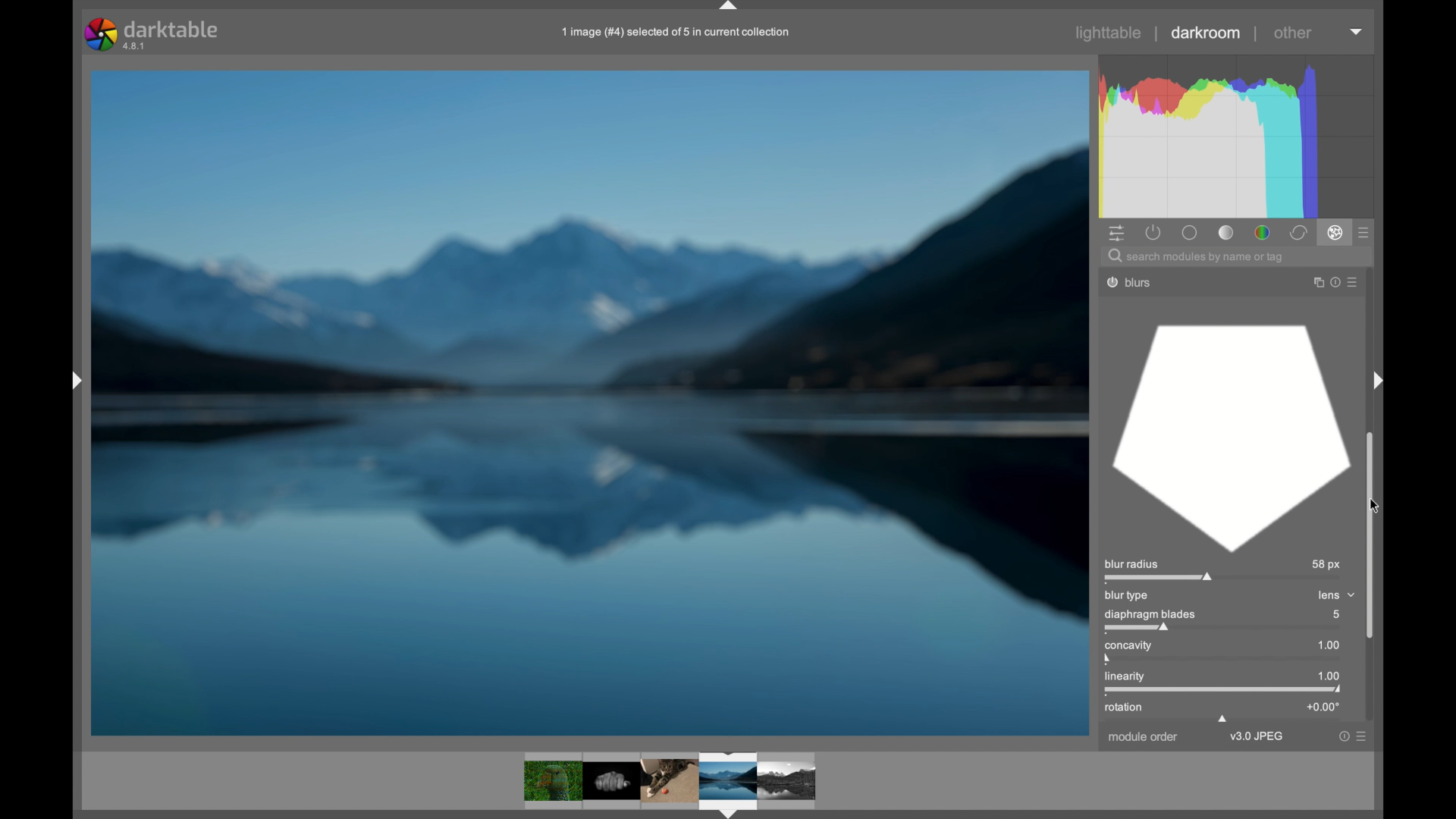  I want to click on darktable, so click(151, 33).